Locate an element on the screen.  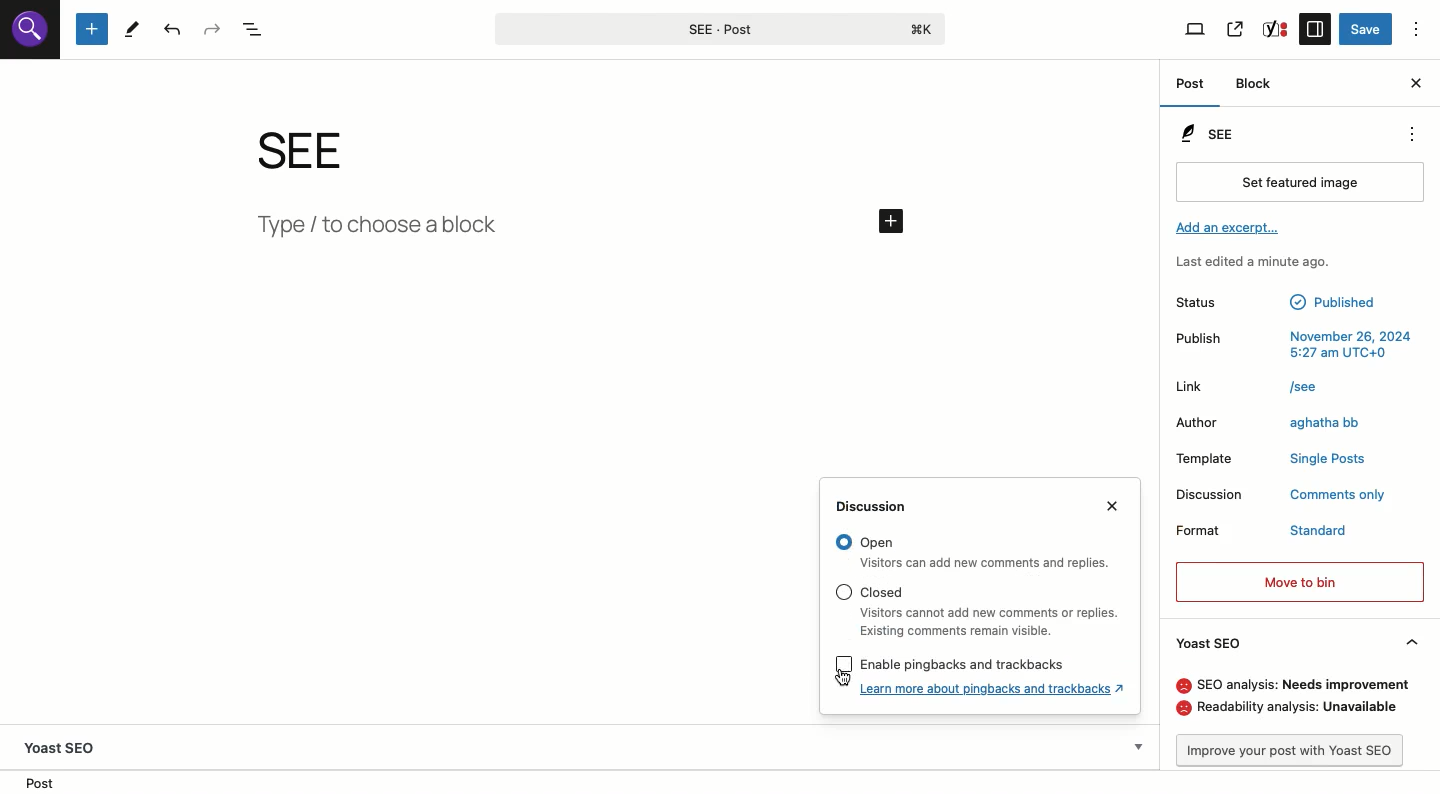
Move to bin is located at coordinates (1300, 580).